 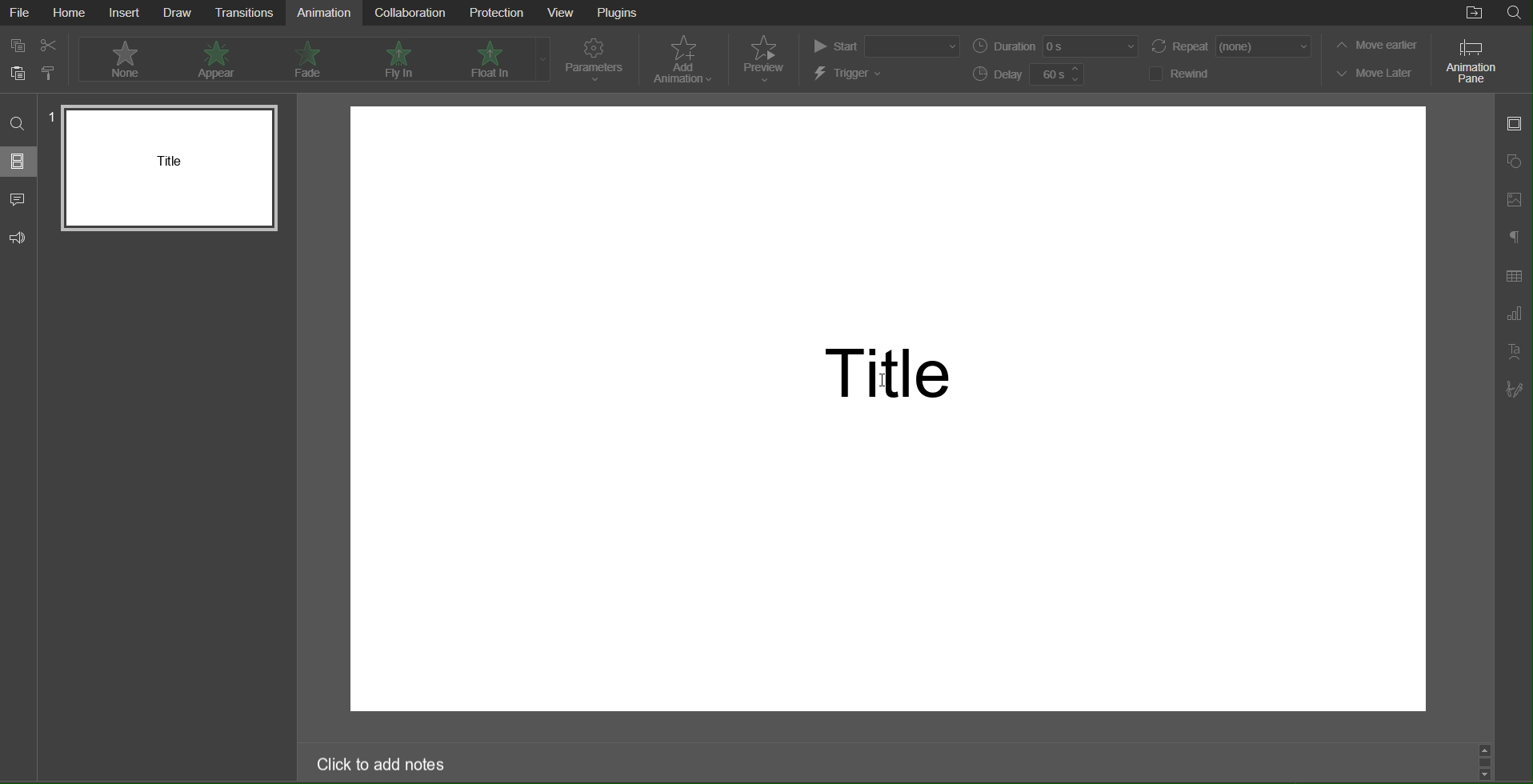 What do you see at coordinates (884, 377) in the screenshot?
I see `cursor` at bounding box center [884, 377].